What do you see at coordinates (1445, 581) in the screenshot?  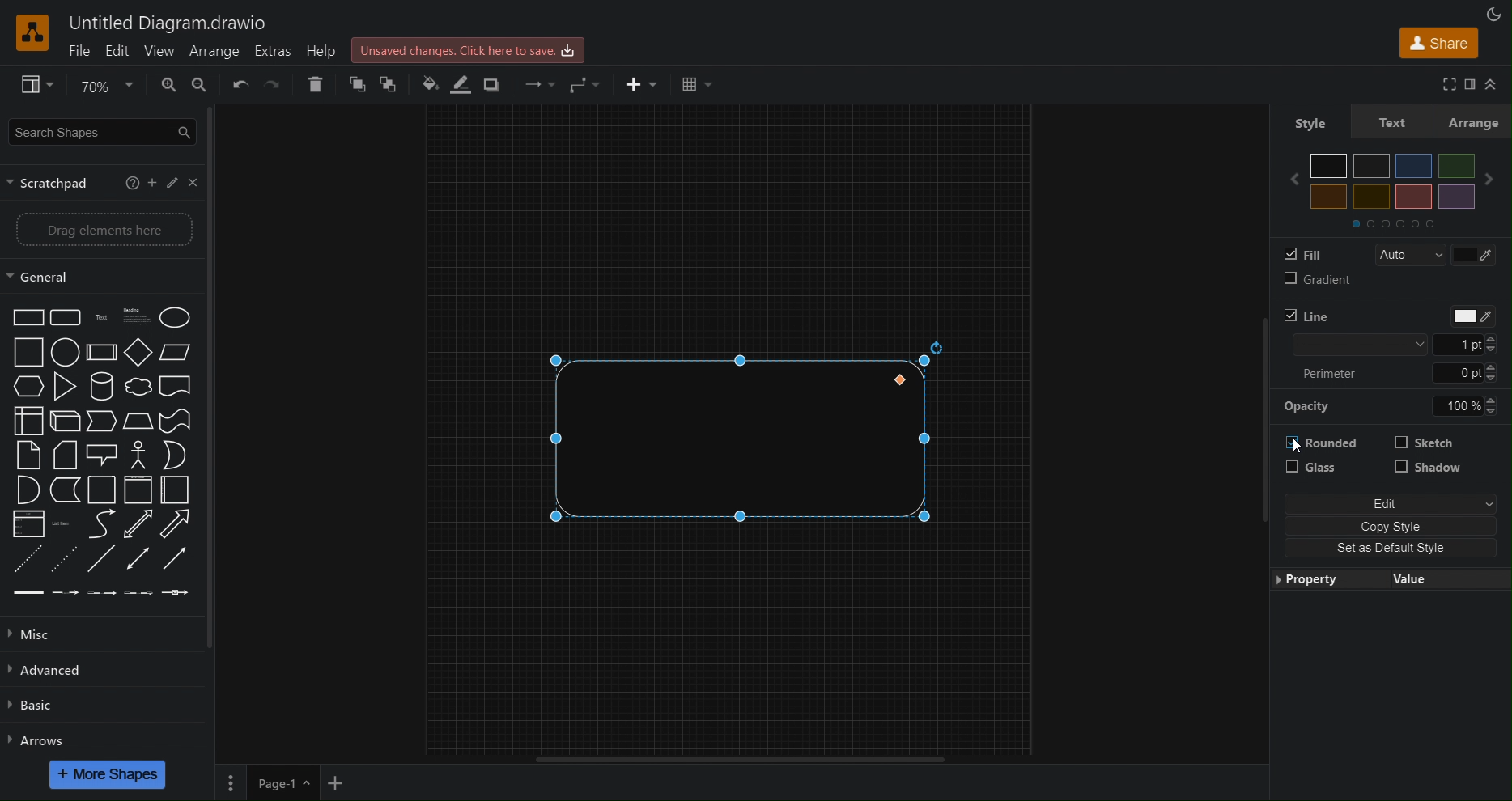 I see `Value` at bounding box center [1445, 581].